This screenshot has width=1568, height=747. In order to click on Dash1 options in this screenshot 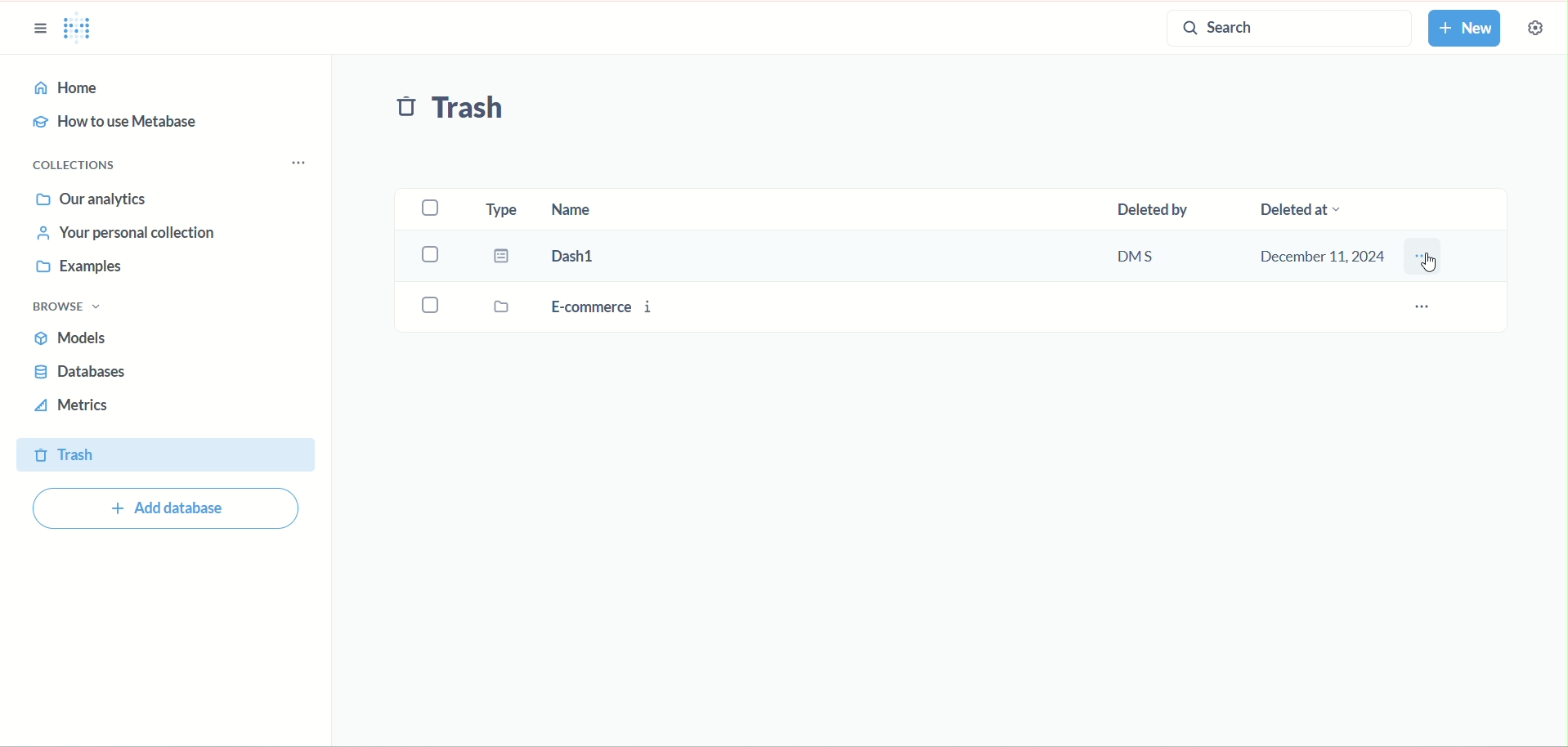, I will do `click(1427, 256)`.